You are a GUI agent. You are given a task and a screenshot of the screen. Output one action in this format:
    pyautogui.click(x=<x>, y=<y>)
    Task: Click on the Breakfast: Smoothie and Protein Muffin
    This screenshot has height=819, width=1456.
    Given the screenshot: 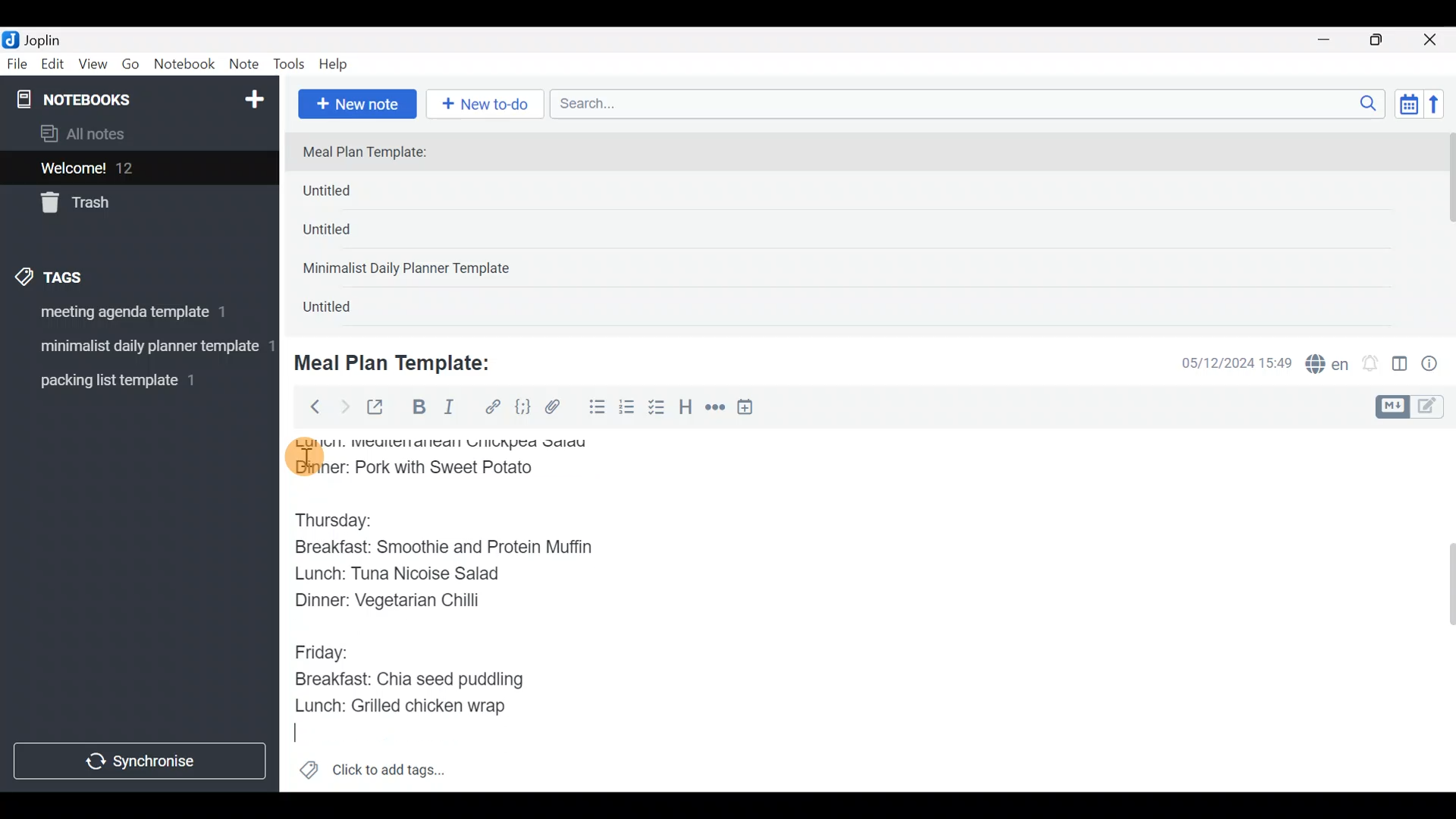 What is the action you would take?
    pyautogui.click(x=444, y=551)
    